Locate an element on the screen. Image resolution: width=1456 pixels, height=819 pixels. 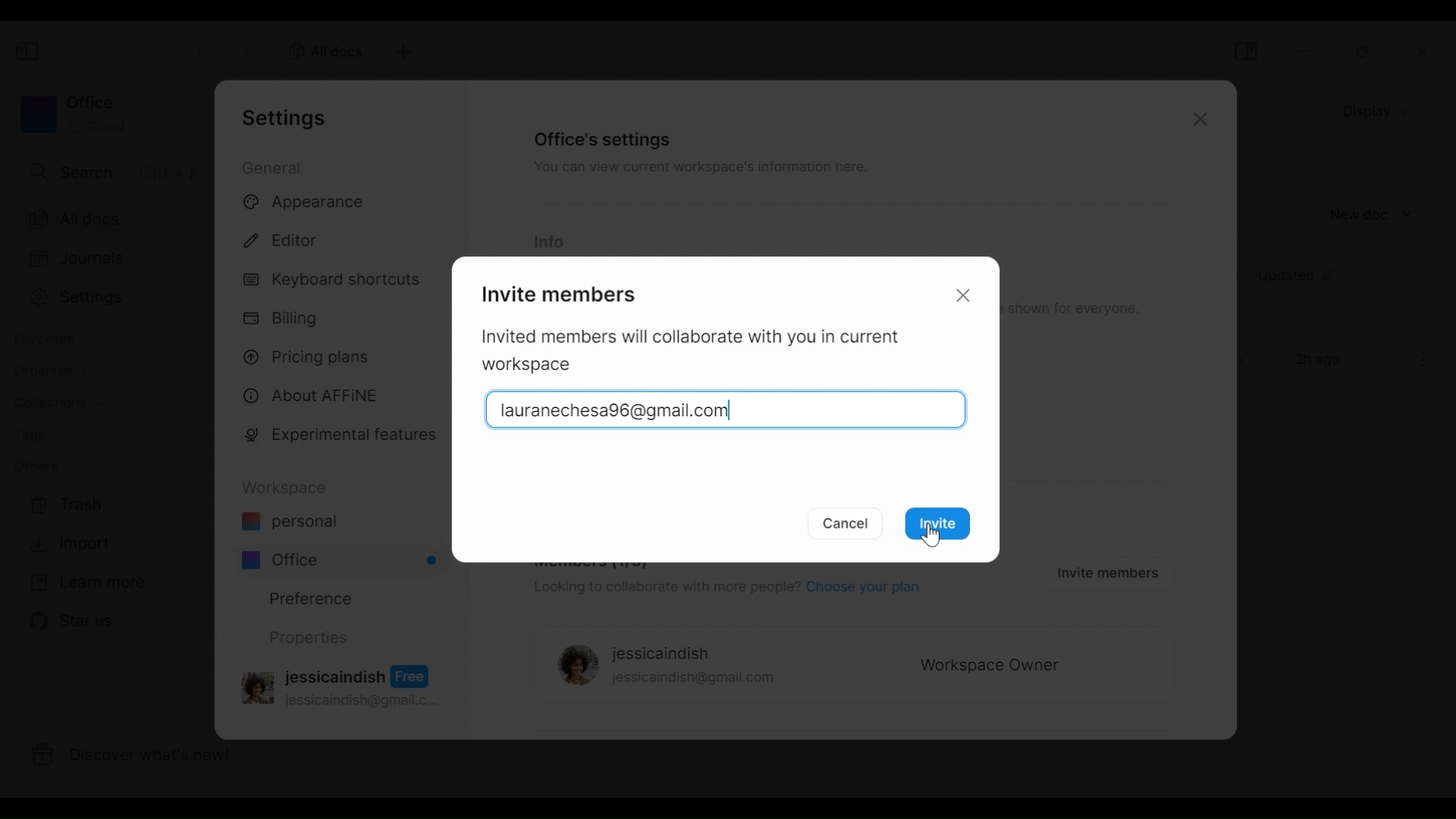
Invite members is located at coordinates (1104, 572).